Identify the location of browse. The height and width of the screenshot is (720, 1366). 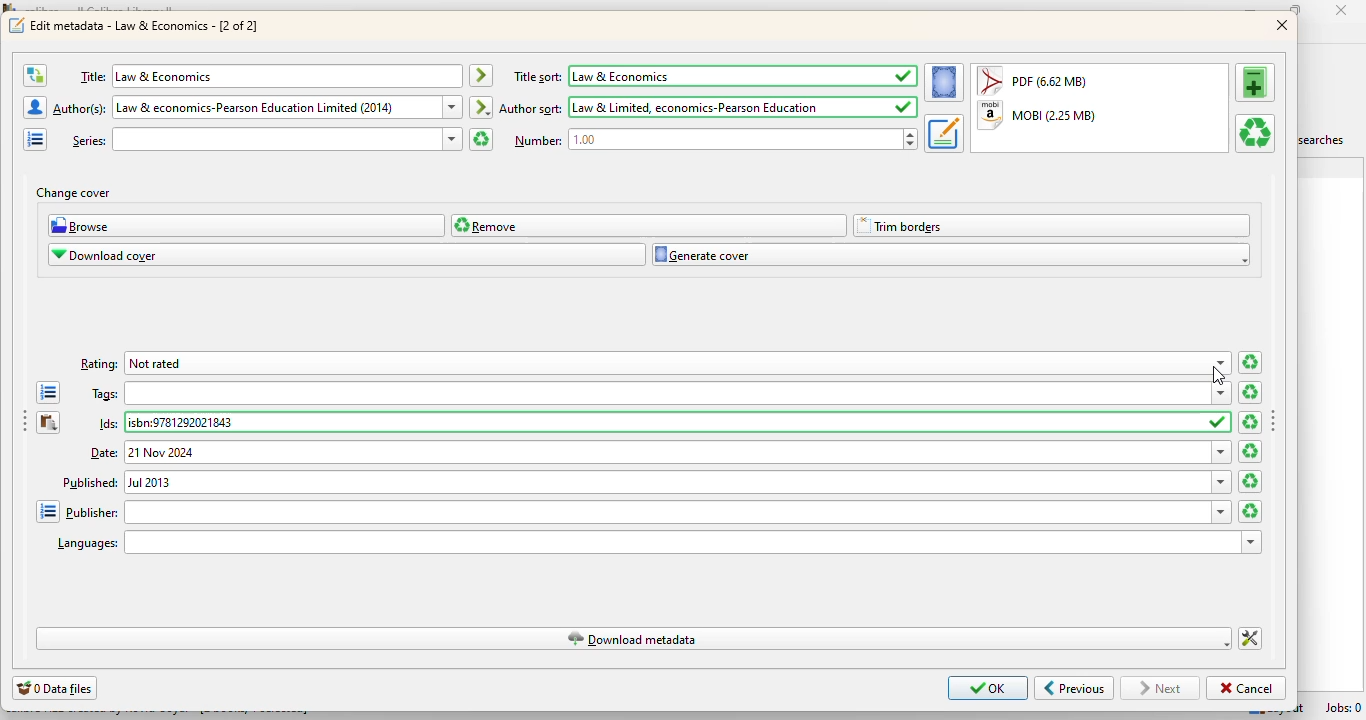
(247, 226).